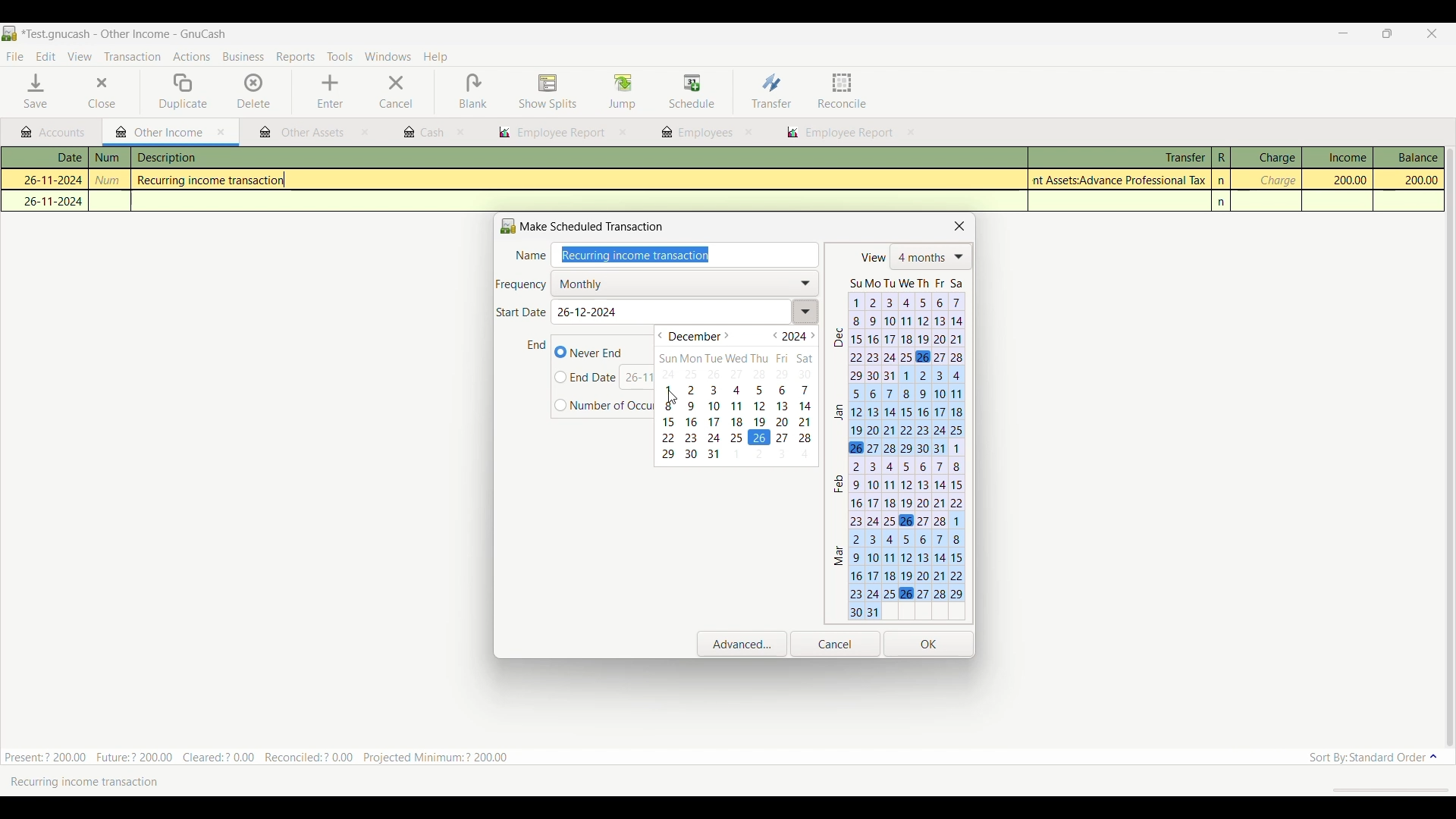 The height and width of the screenshot is (819, 1456). What do you see at coordinates (898, 447) in the screenshot?
I see `Highlighted dates in calendar changed according to frequency selected` at bounding box center [898, 447].